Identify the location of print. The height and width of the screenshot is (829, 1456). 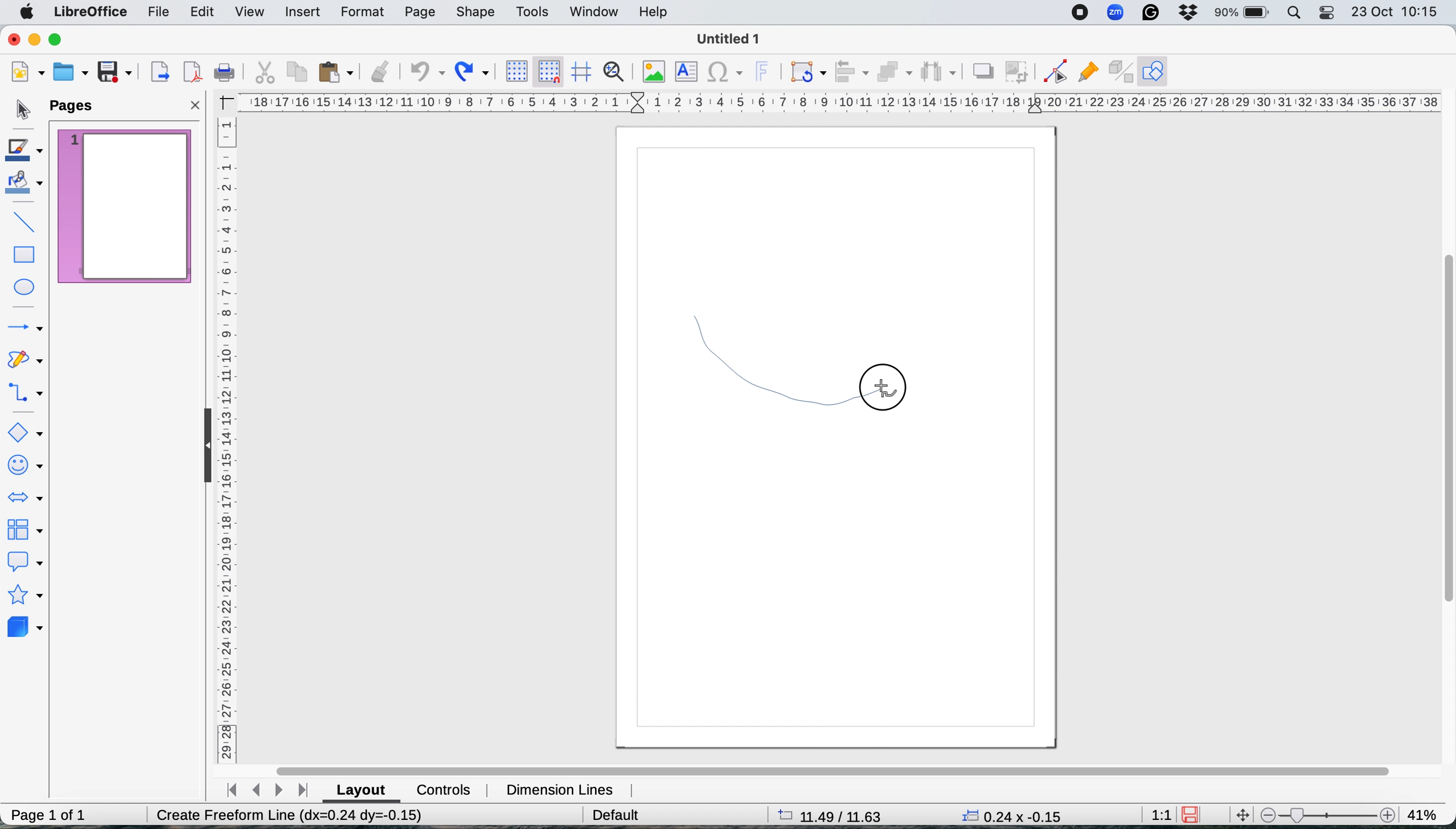
(225, 72).